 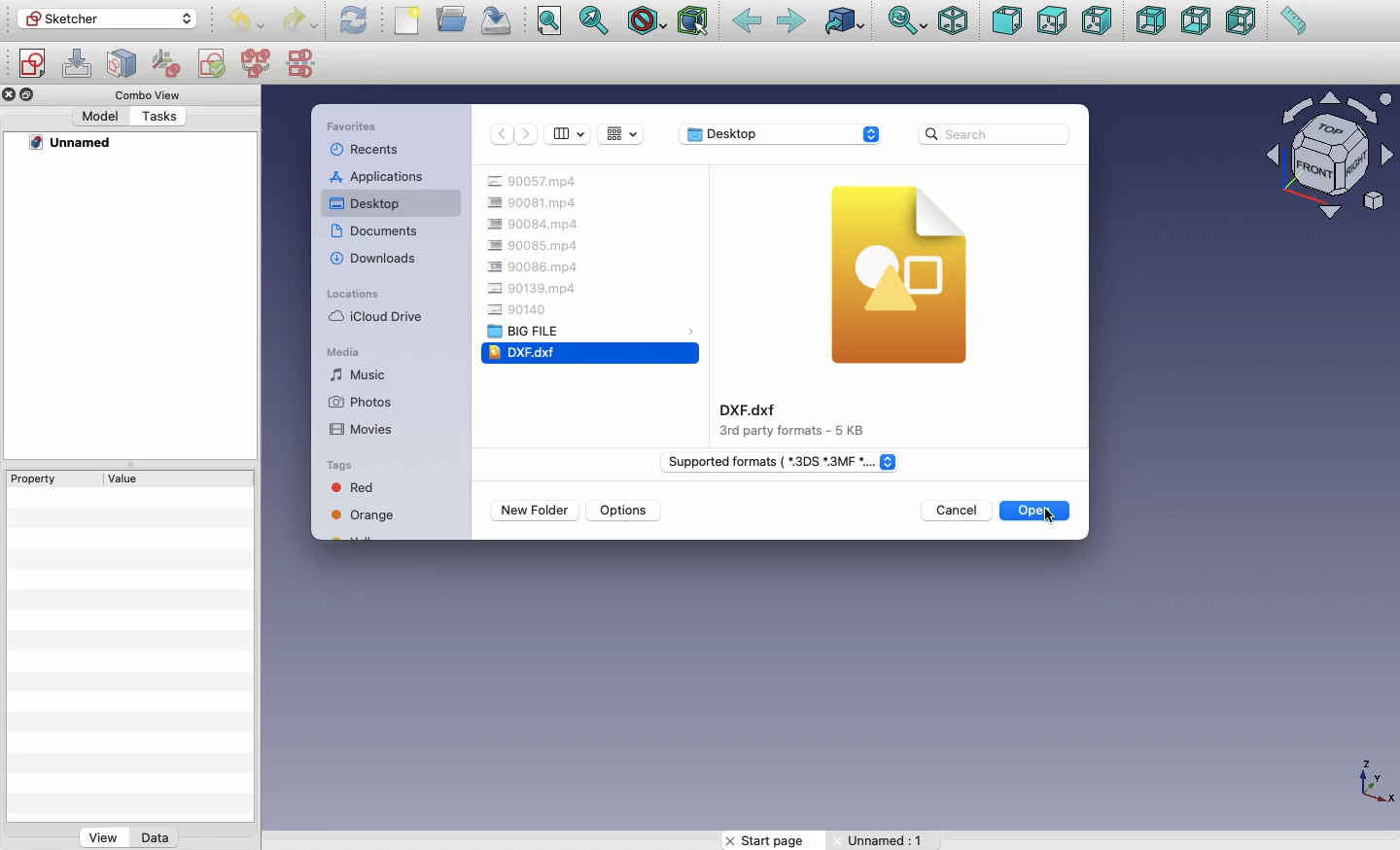 What do you see at coordinates (299, 21) in the screenshot?
I see `Redo` at bounding box center [299, 21].